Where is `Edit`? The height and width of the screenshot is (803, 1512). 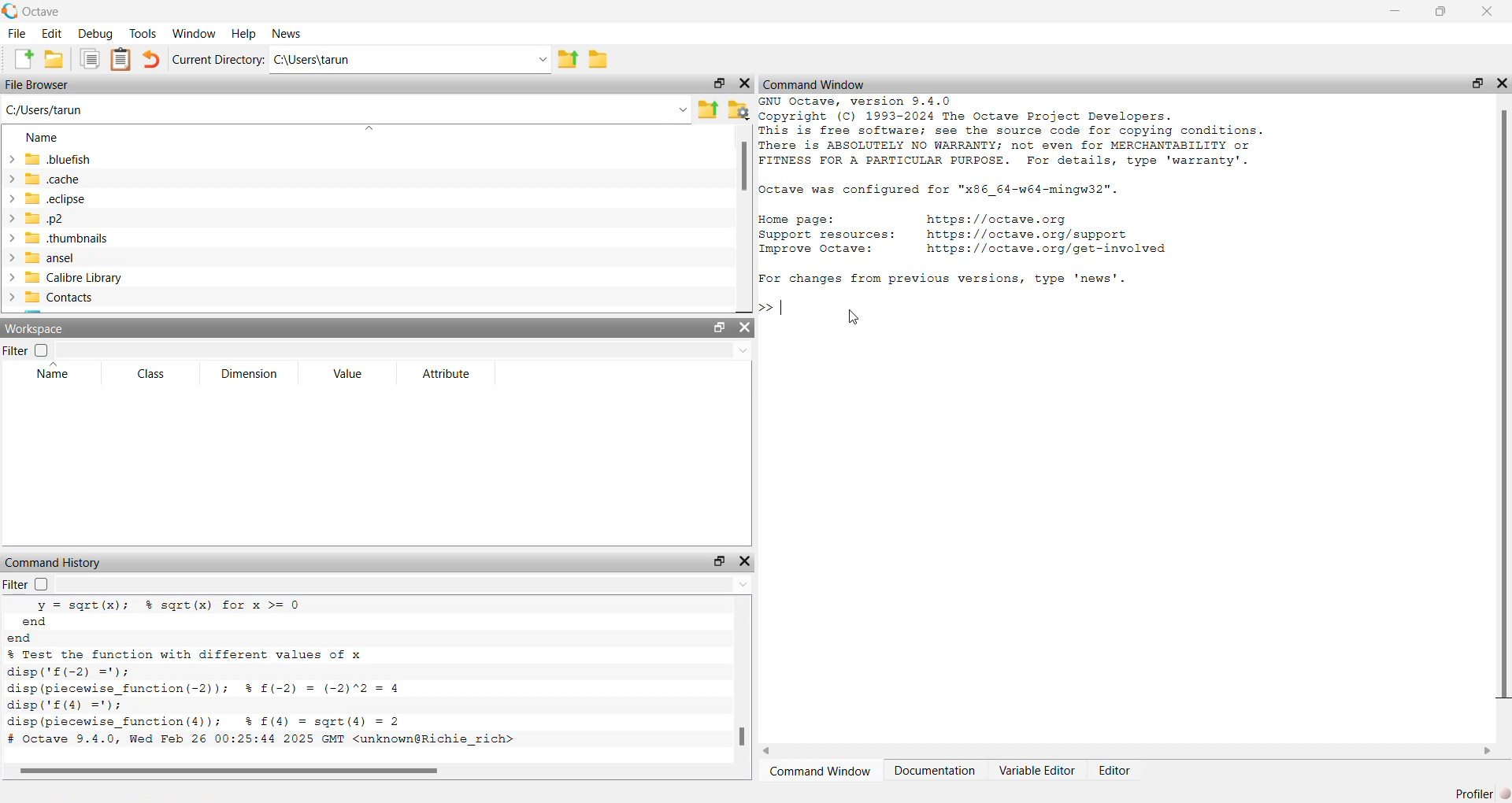
Edit is located at coordinates (53, 34).